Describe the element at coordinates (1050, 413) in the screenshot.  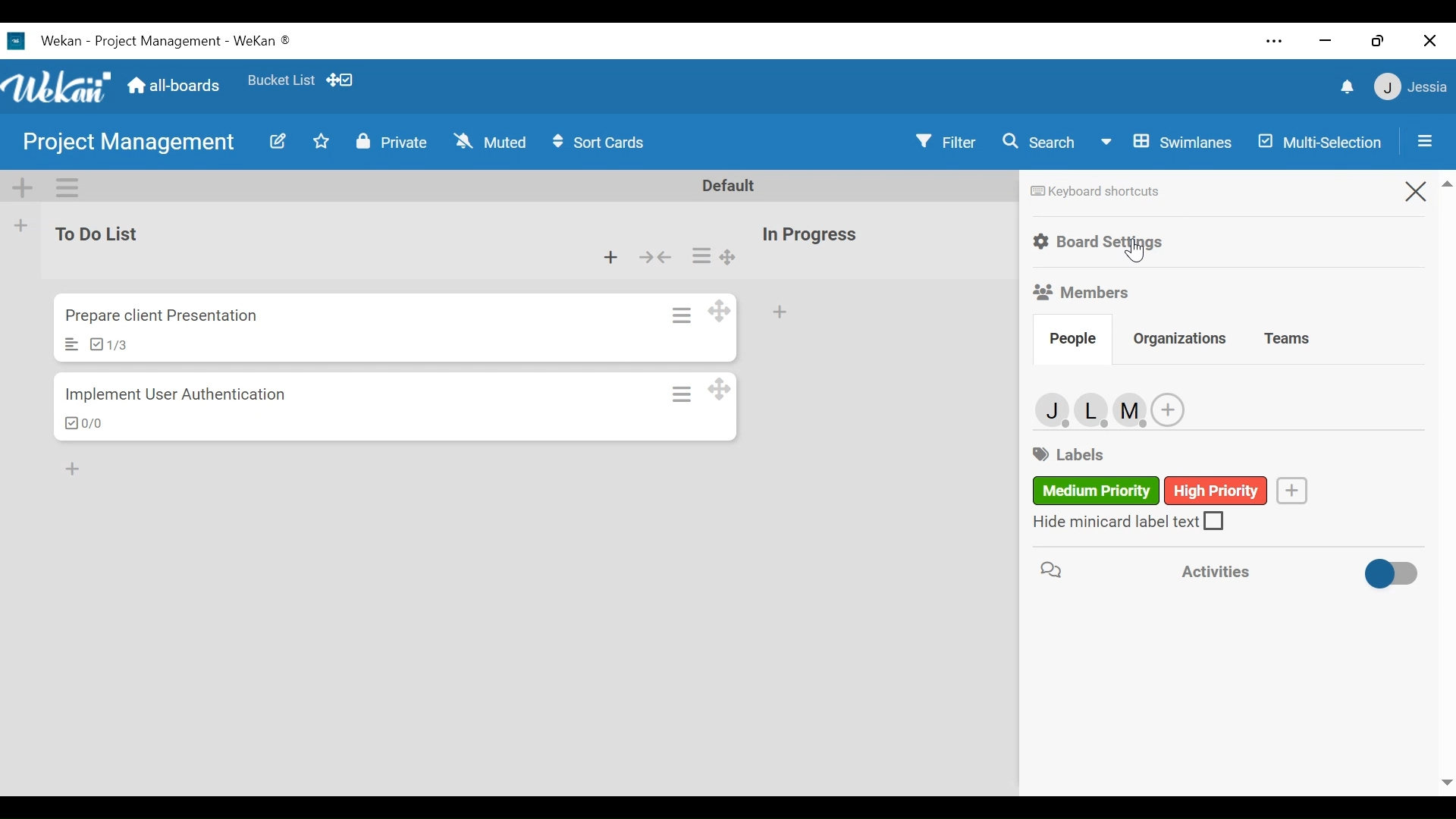
I see `member 1` at that location.